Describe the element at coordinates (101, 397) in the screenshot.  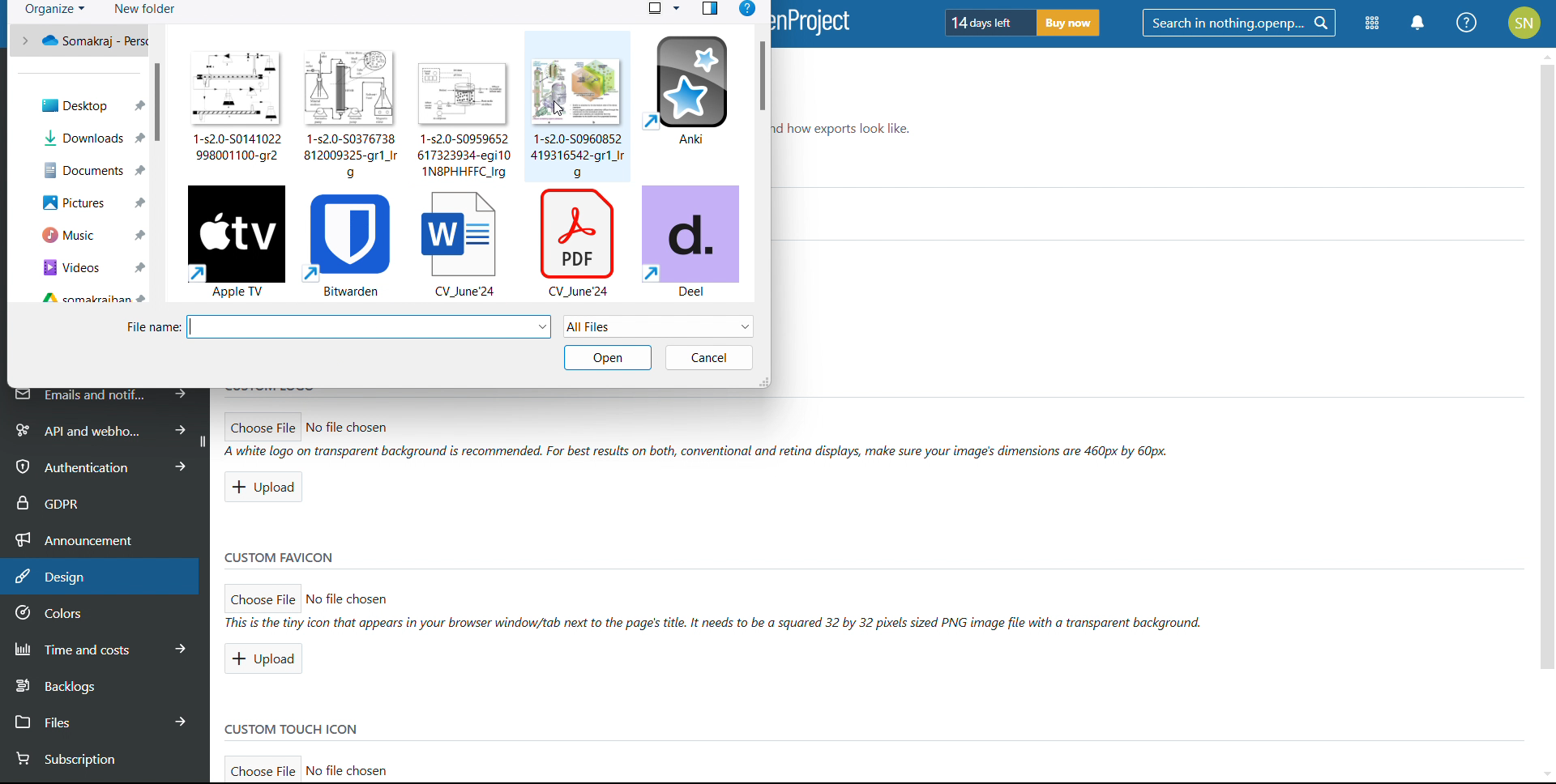
I see `emails and notifications` at that location.